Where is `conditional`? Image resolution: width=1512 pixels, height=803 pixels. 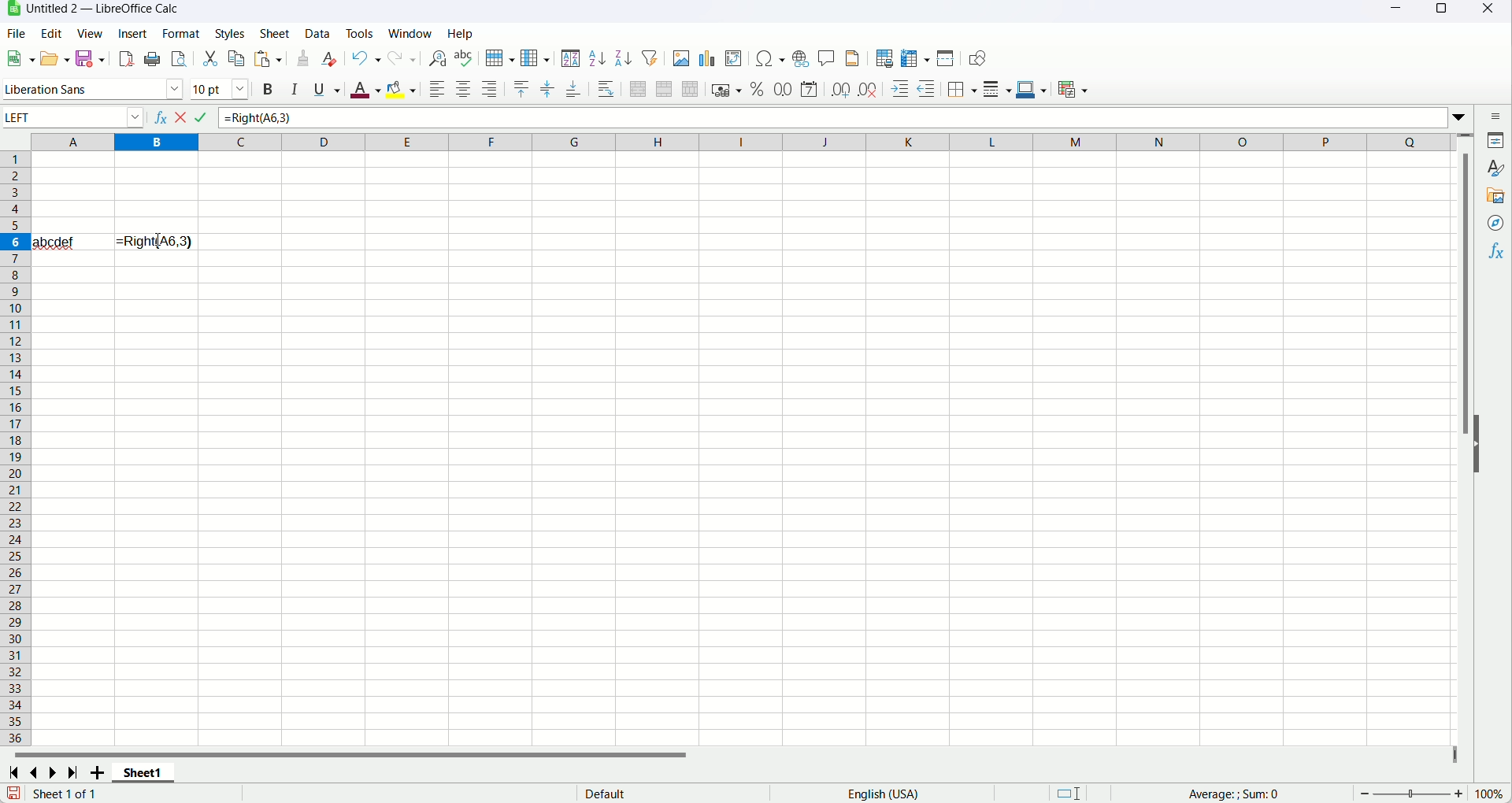 conditional is located at coordinates (1073, 91).